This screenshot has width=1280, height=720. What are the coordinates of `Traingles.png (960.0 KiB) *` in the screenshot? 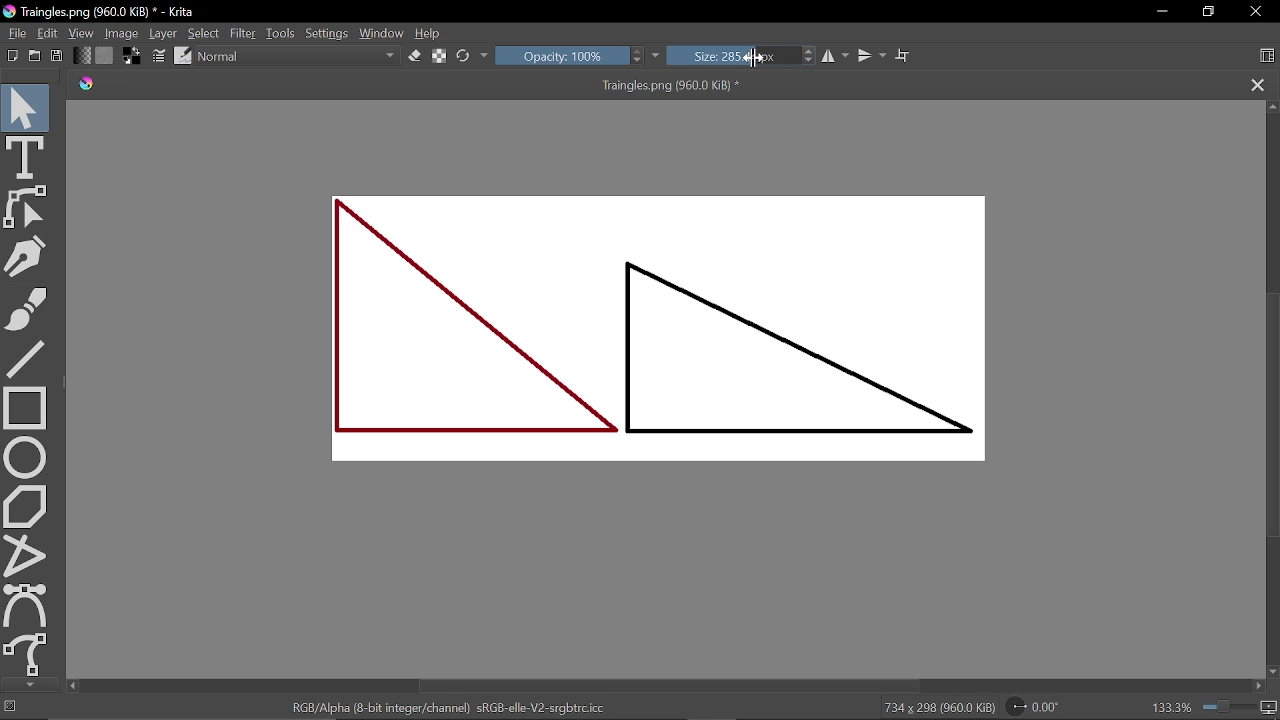 It's located at (414, 86).